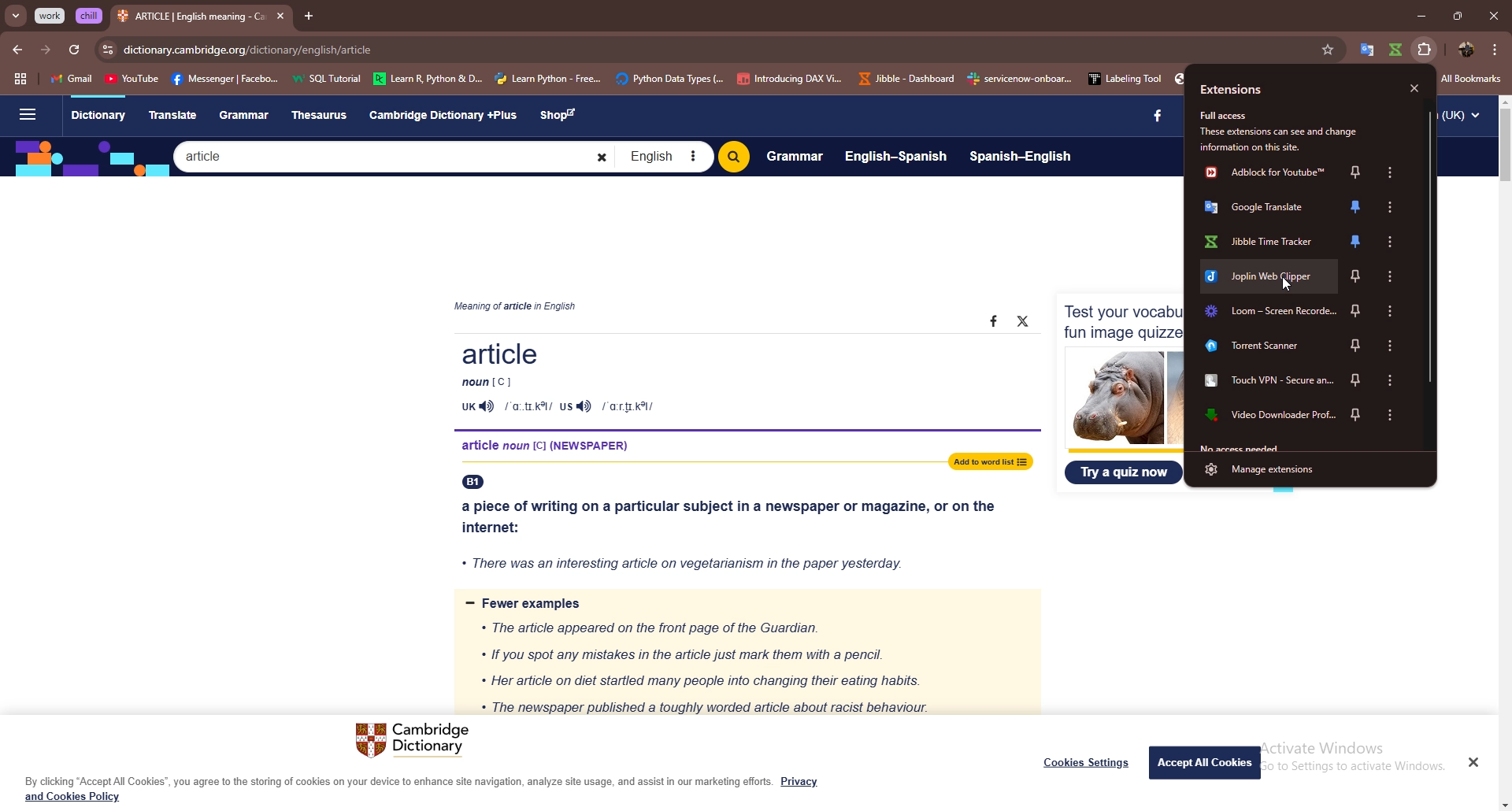 The width and height of the screenshot is (1512, 811). I want to click on option, so click(1392, 242).